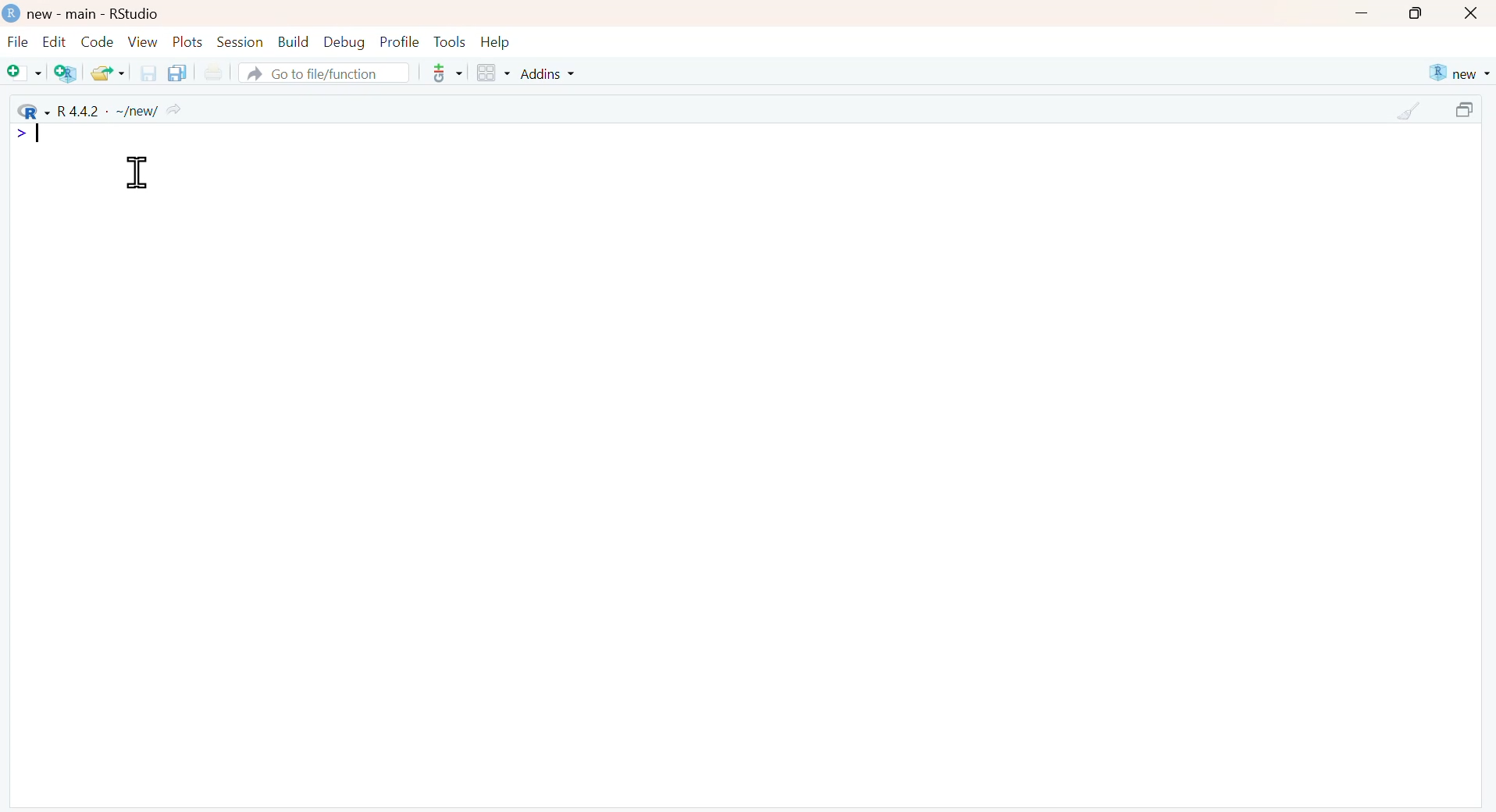 Image resolution: width=1496 pixels, height=812 pixels. I want to click on Help, so click(496, 42).